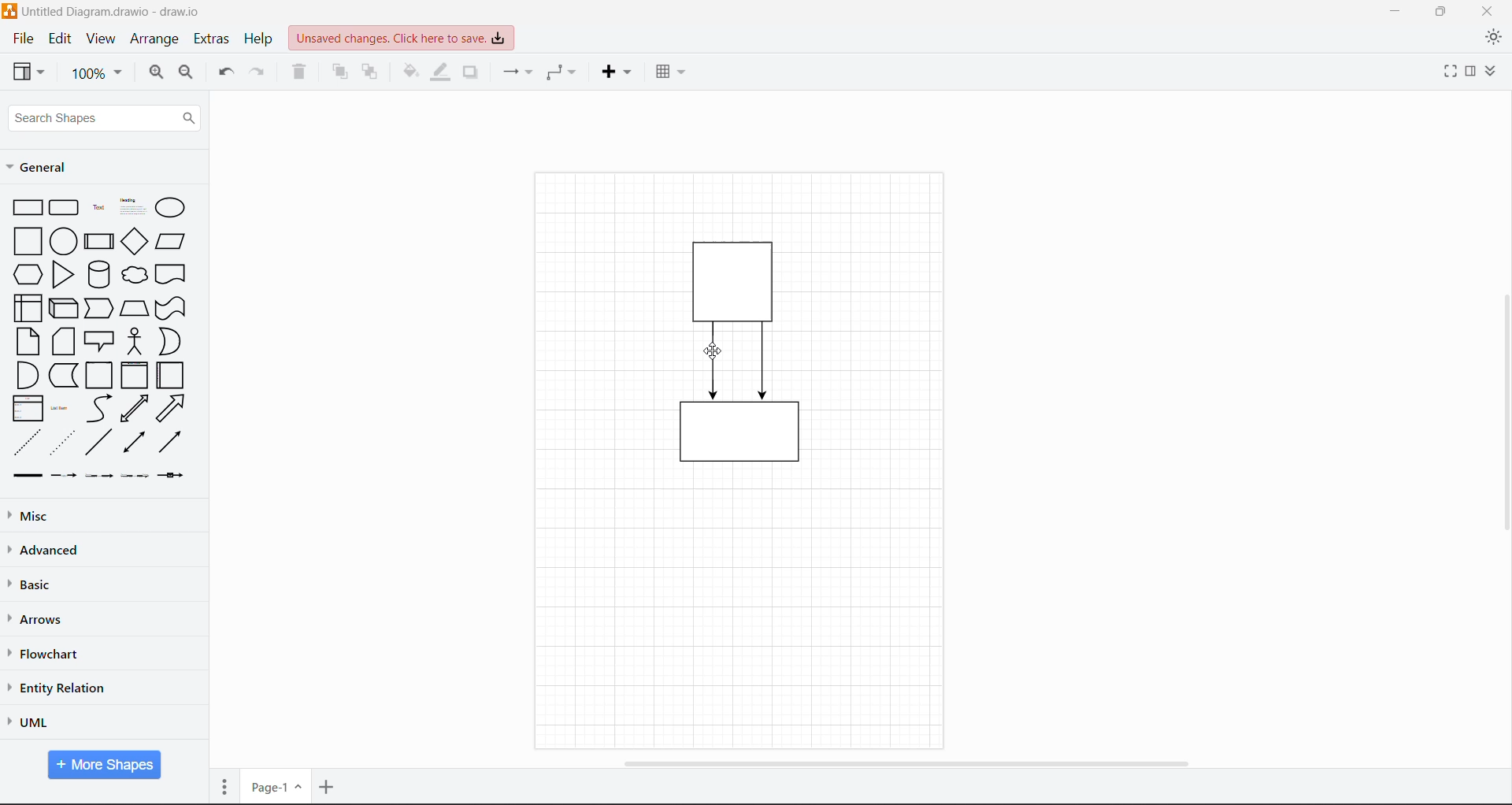  What do you see at coordinates (413, 72) in the screenshot?
I see `Fill Color` at bounding box center [413, 72].